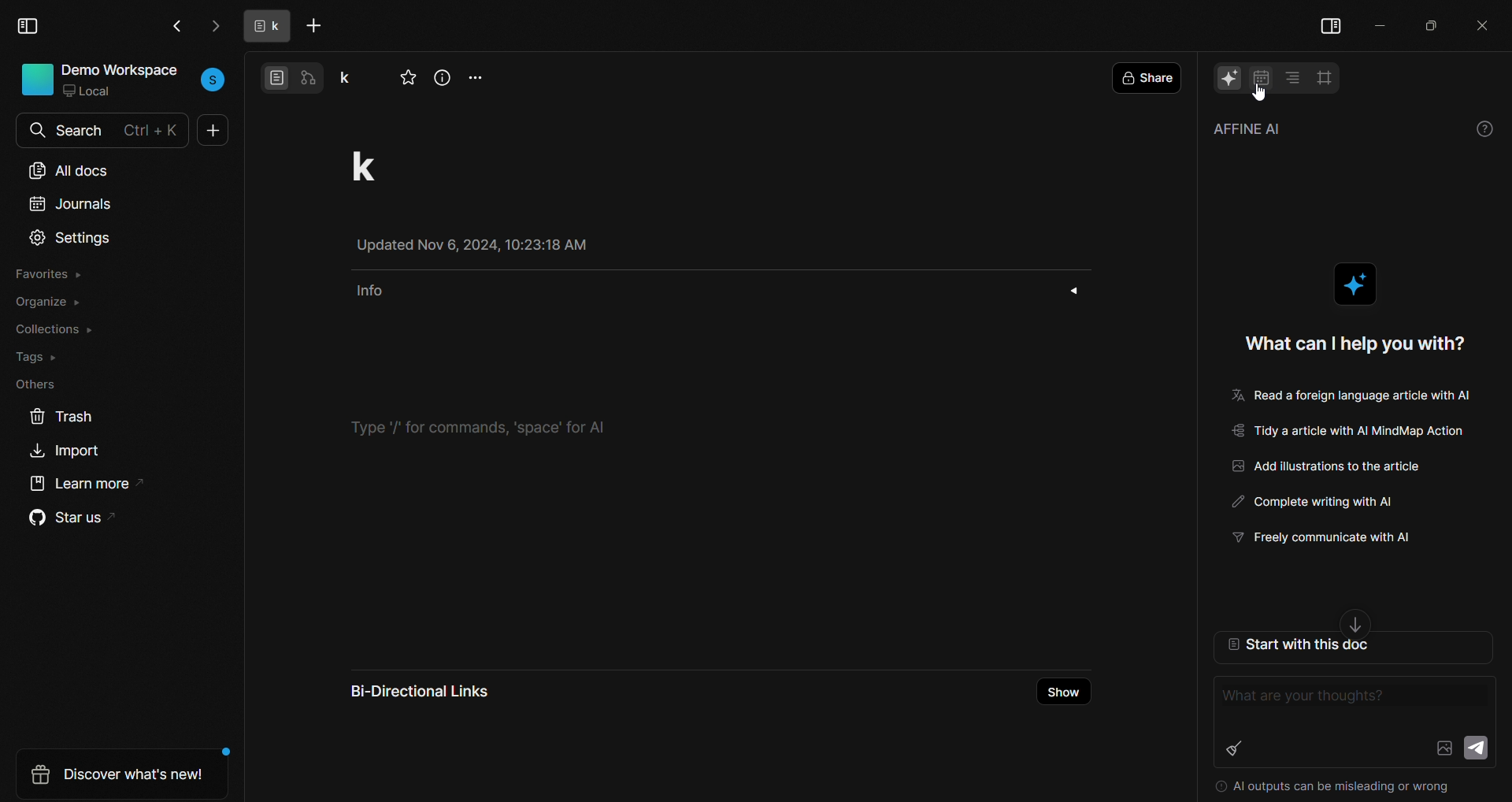  What do you see at coordinates (486, 245) in the screenshot?
I see `Updated Nov 6, 2024, 10:23:18 AM` at bounding box center [486, 245].